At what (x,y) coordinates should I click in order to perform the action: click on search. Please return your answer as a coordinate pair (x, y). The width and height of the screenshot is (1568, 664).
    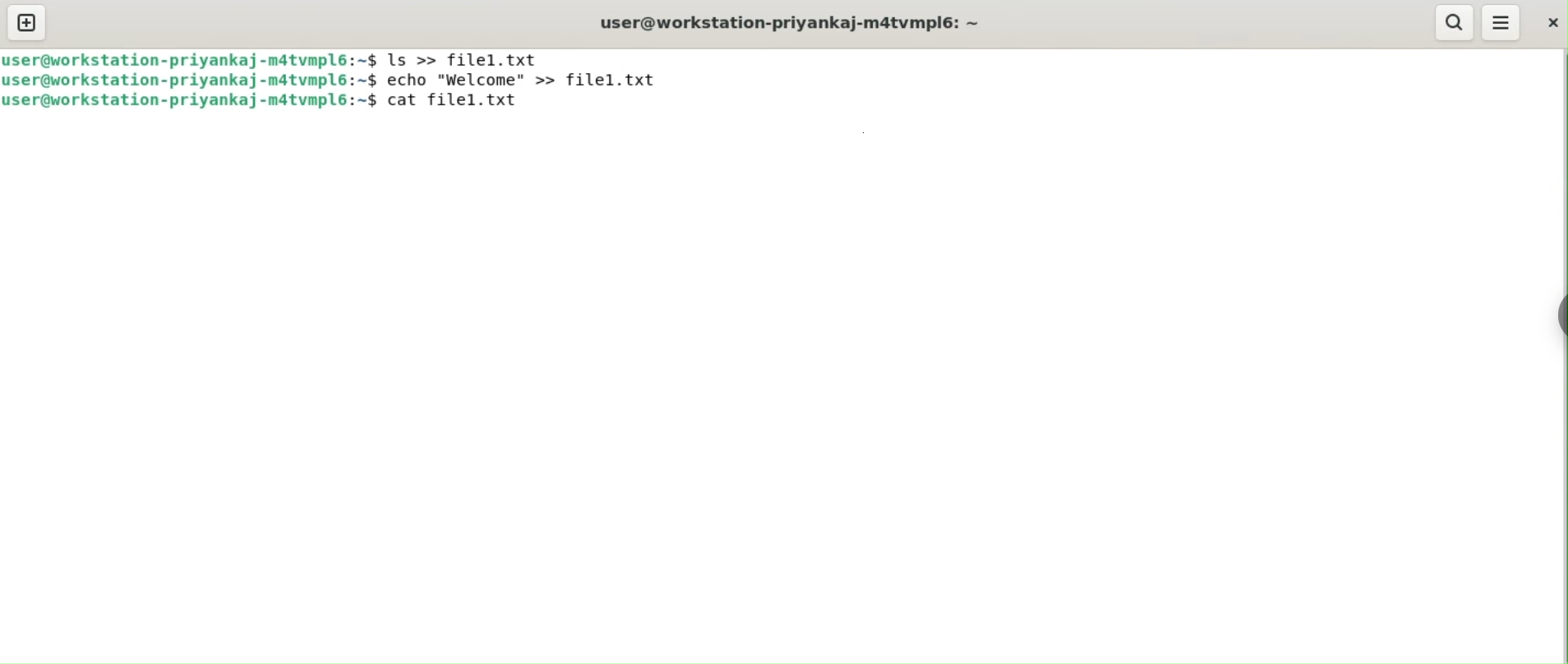
    Looking at the image, I should click on (1453, 22).